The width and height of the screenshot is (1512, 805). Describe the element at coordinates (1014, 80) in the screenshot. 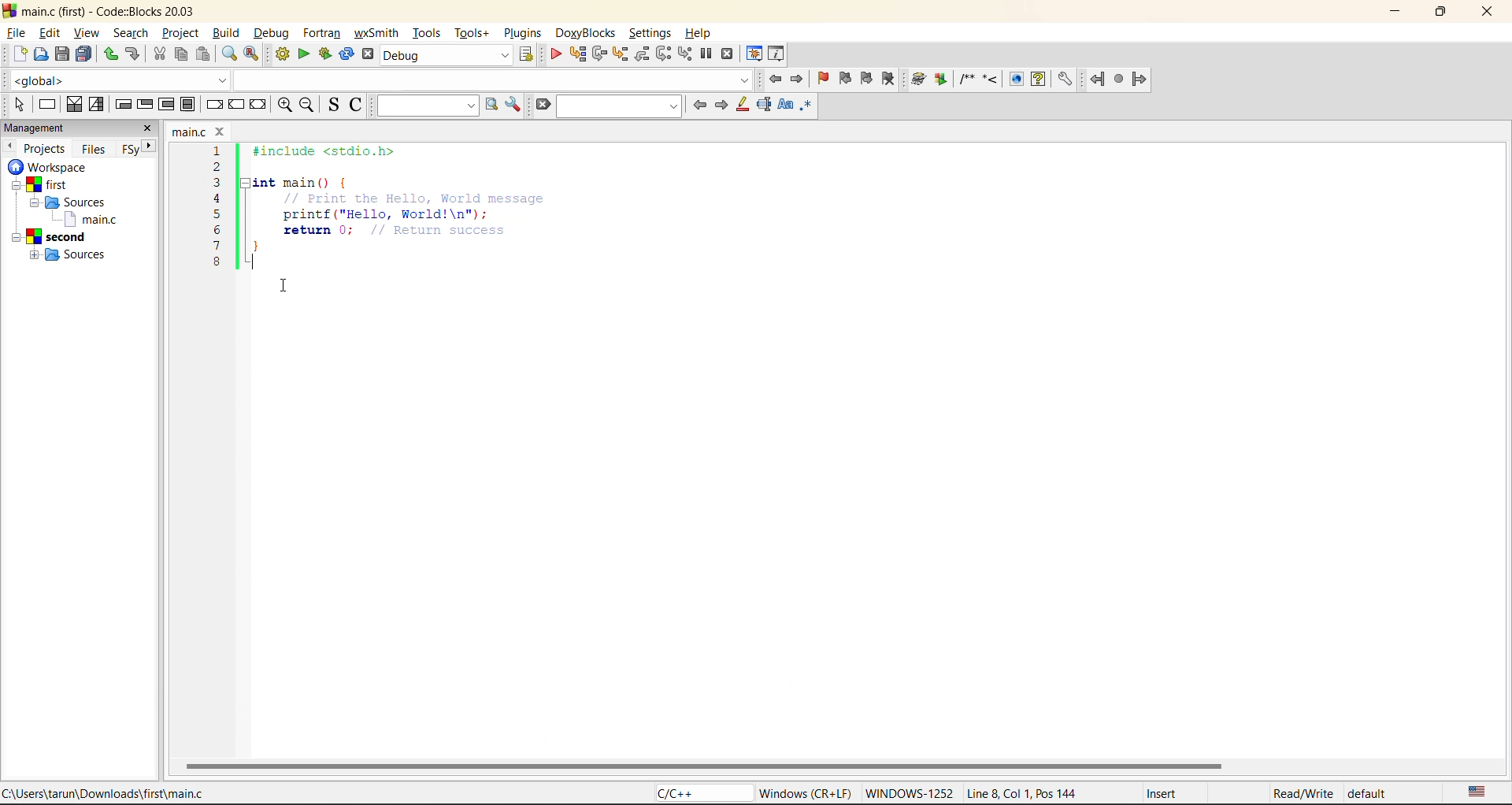

I see `web` at that location.